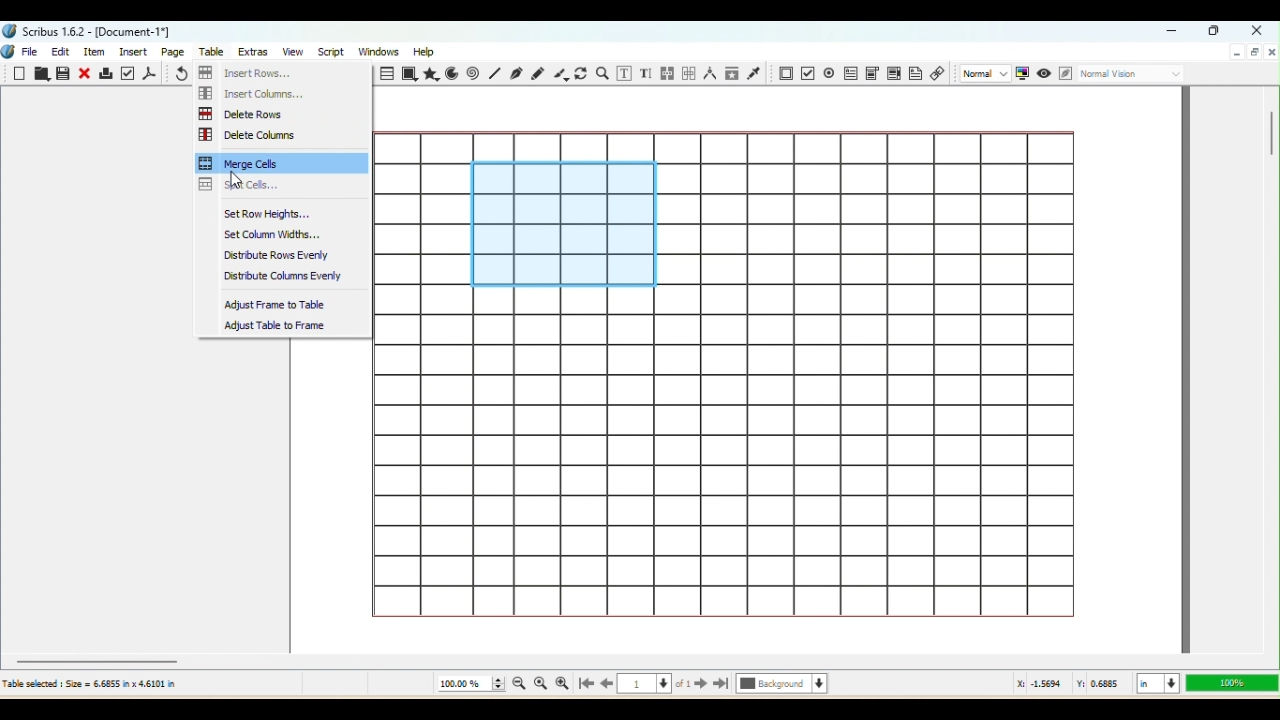 Image resolution: width=1280 pixels, height=720 pixels. Describe the element at coordinates (666, 72) in the screenshot. I see `Link text frames` at that location.